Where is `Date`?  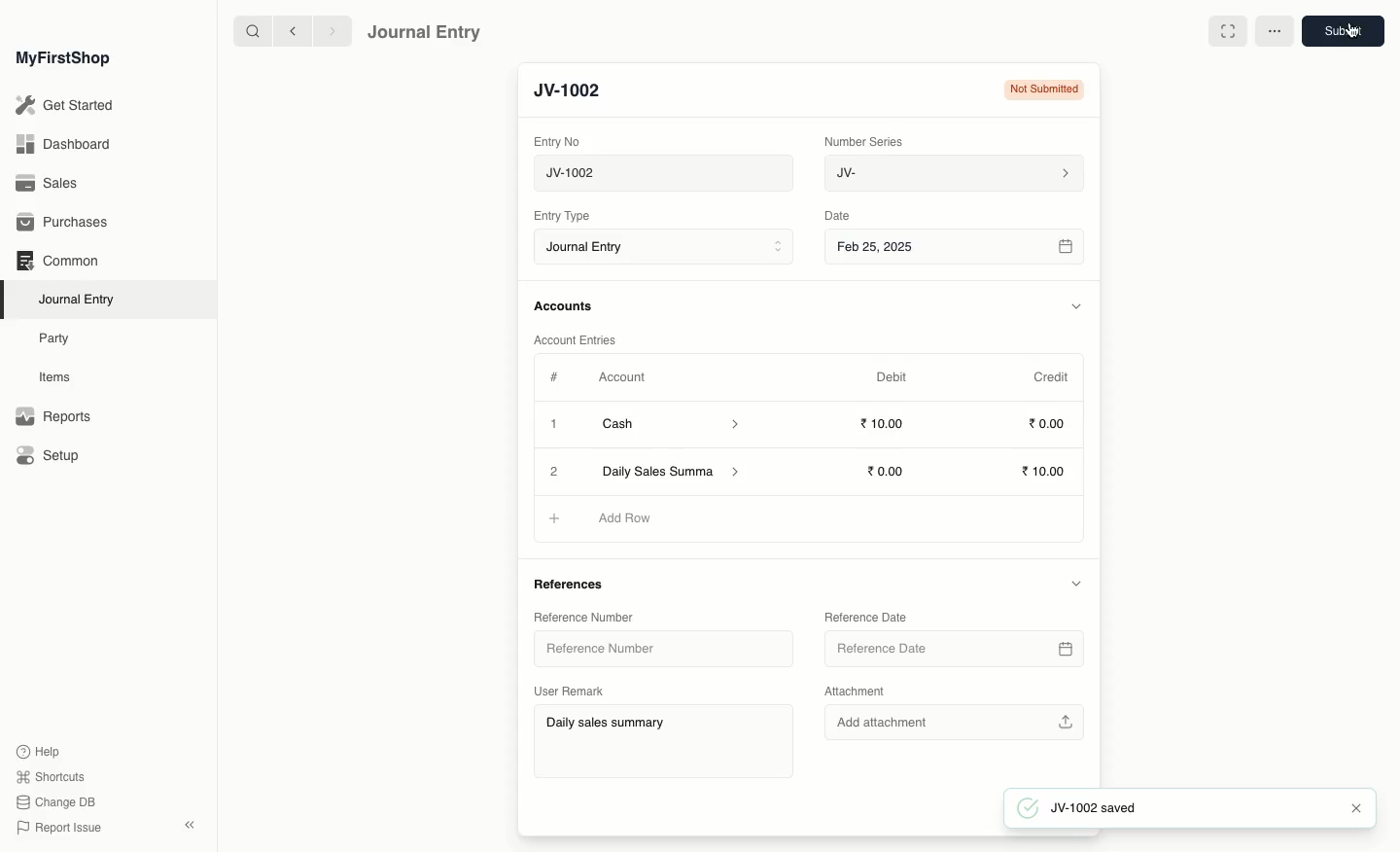
Date is located at coordinates (838, 216).